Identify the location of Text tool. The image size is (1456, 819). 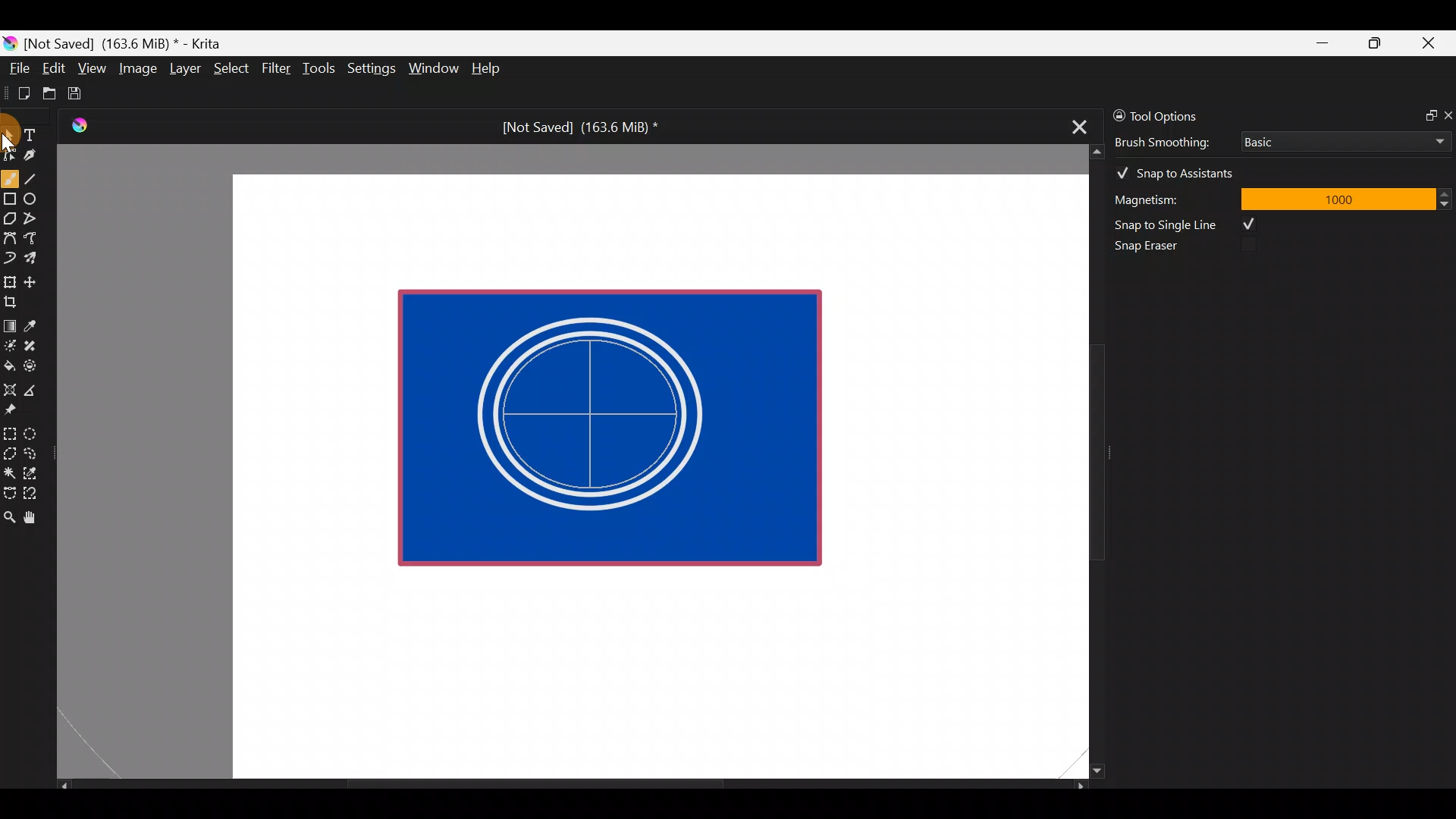
(38, 134).